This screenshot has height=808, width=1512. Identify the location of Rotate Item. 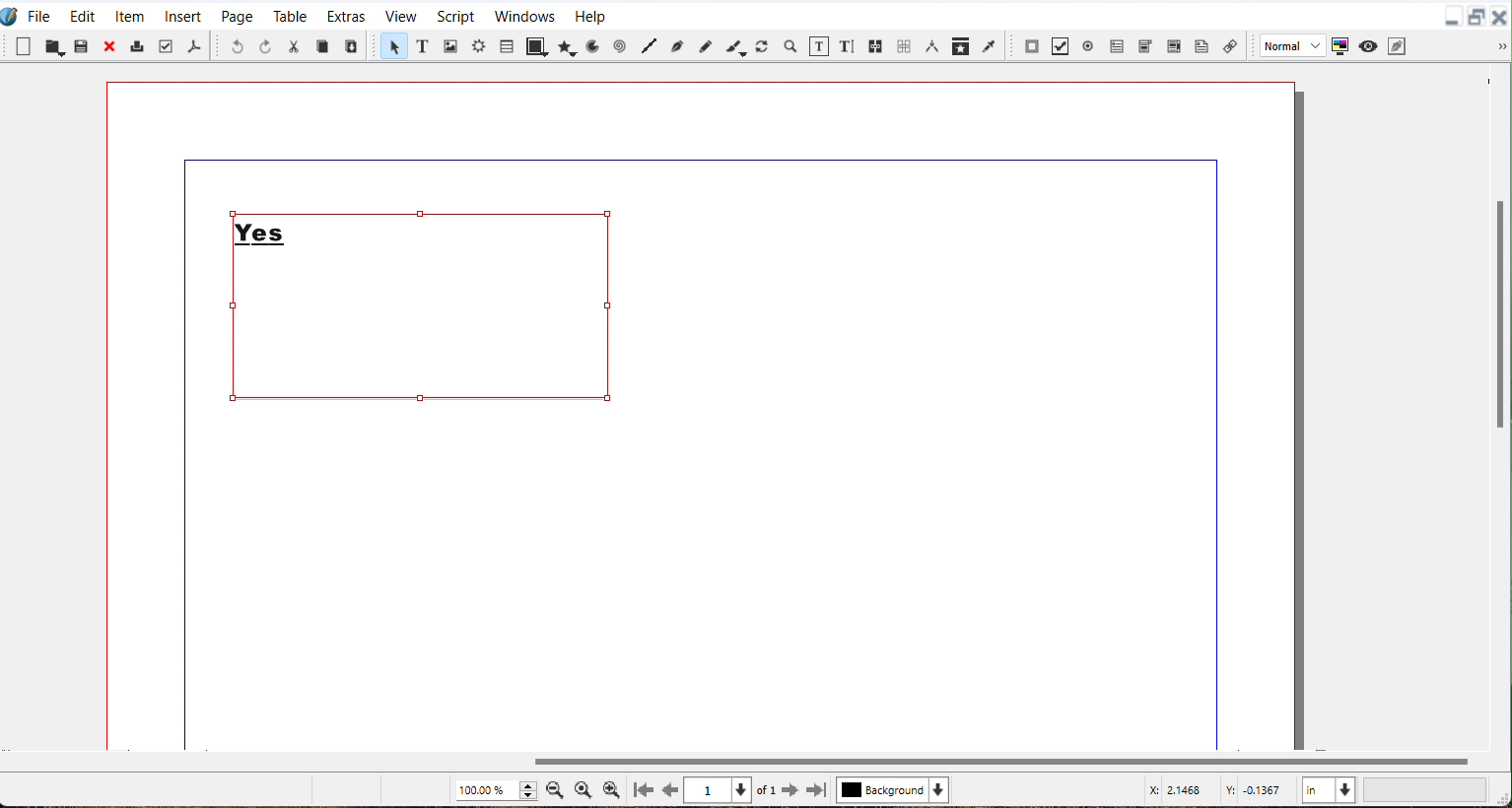
(764, 45).